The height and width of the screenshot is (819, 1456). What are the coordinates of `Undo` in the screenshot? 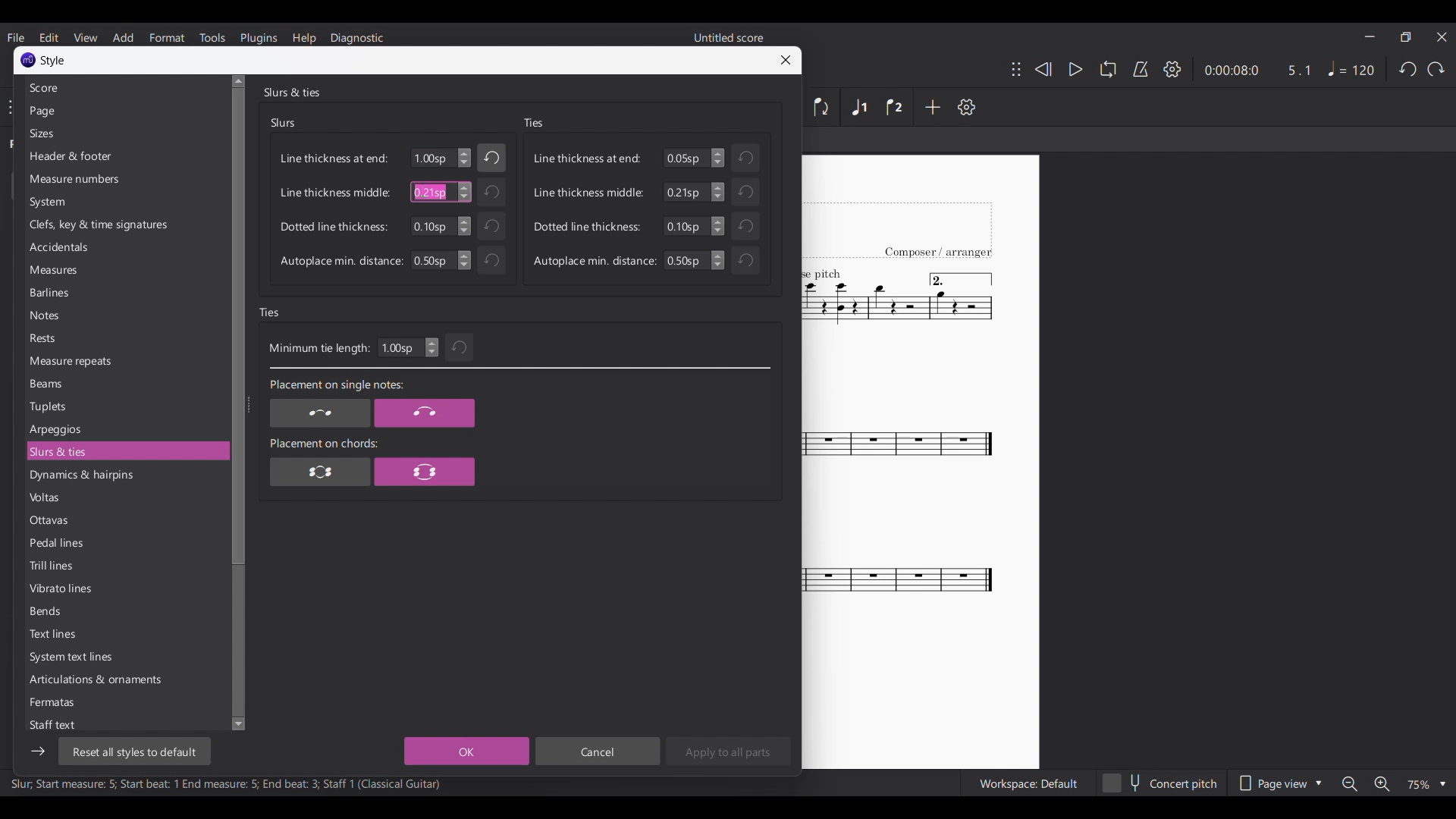 It's located at (460, 347).